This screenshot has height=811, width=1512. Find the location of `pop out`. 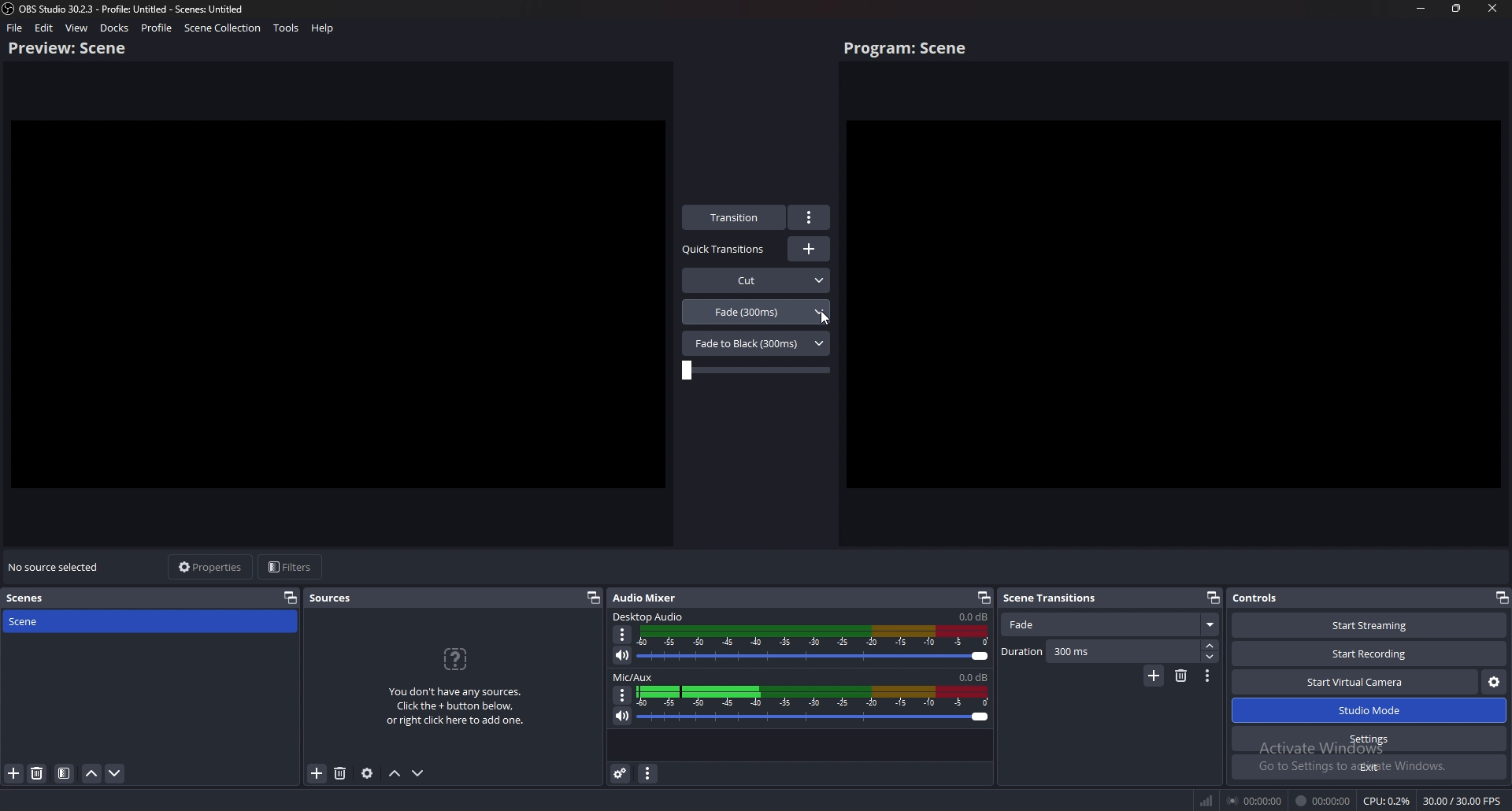

pop out is located at coordinates (291, 597).